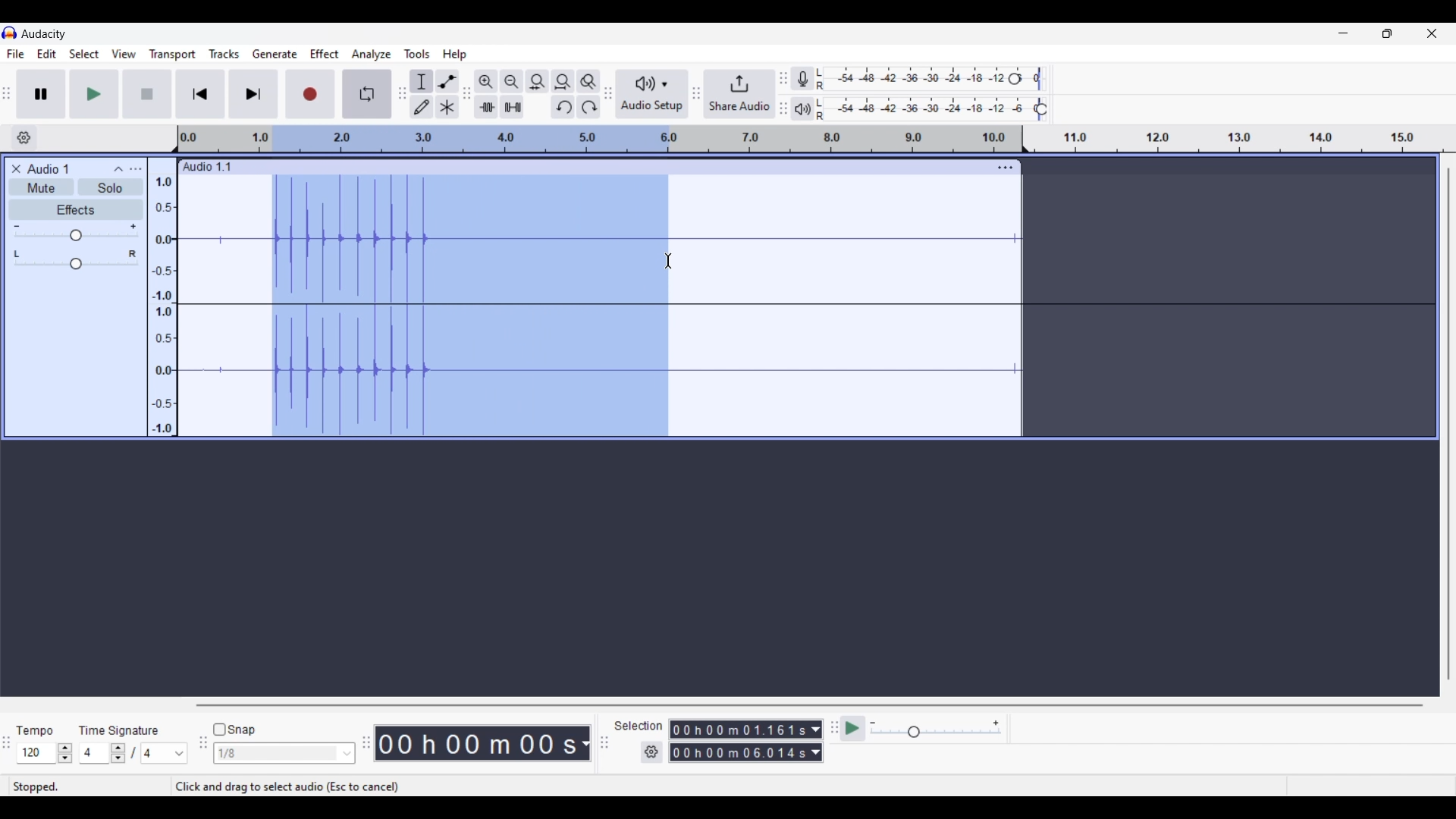 The width and height of the screenshot is (1456, 819). I want to click on Transport menu, so click(173, 54).